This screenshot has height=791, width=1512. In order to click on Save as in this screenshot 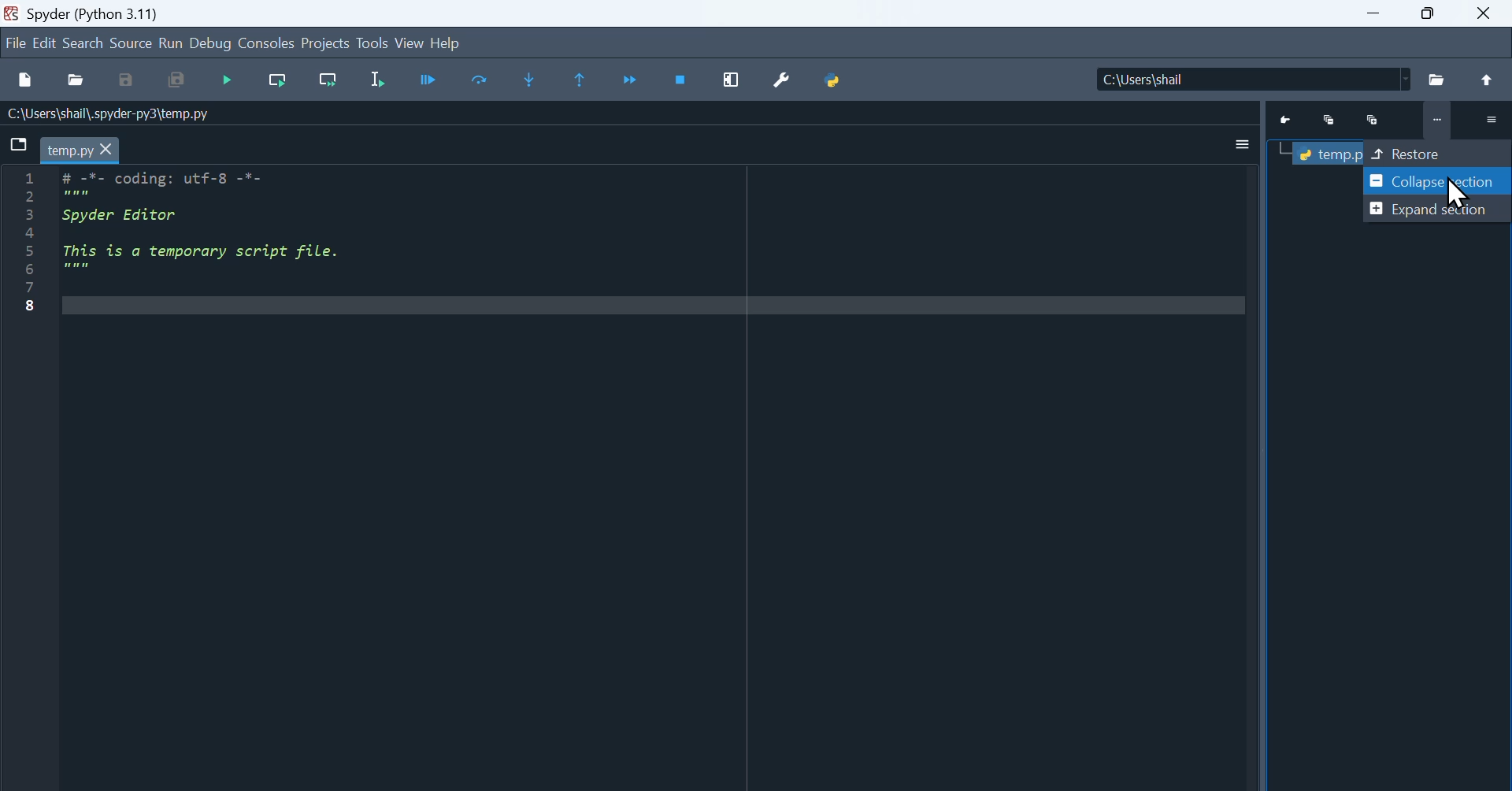, I will do `click(126, 81)`.